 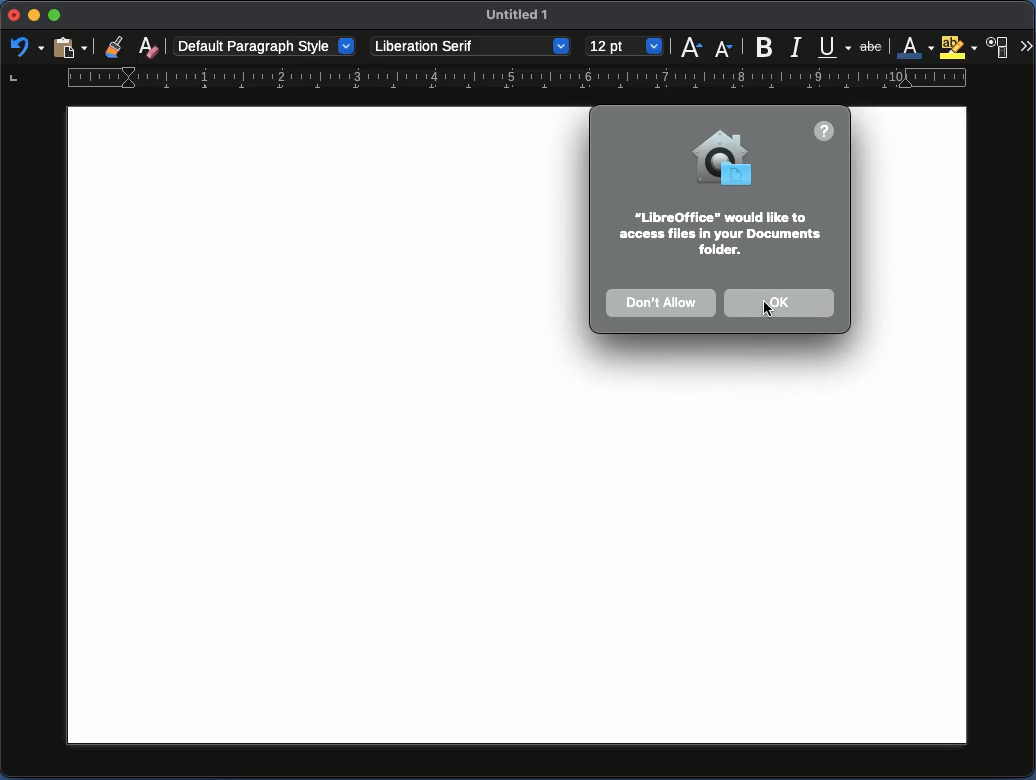 What do you see at coordinates (508, 548) in the screenshot?
I see `Page` at bounding box center [508, 548].